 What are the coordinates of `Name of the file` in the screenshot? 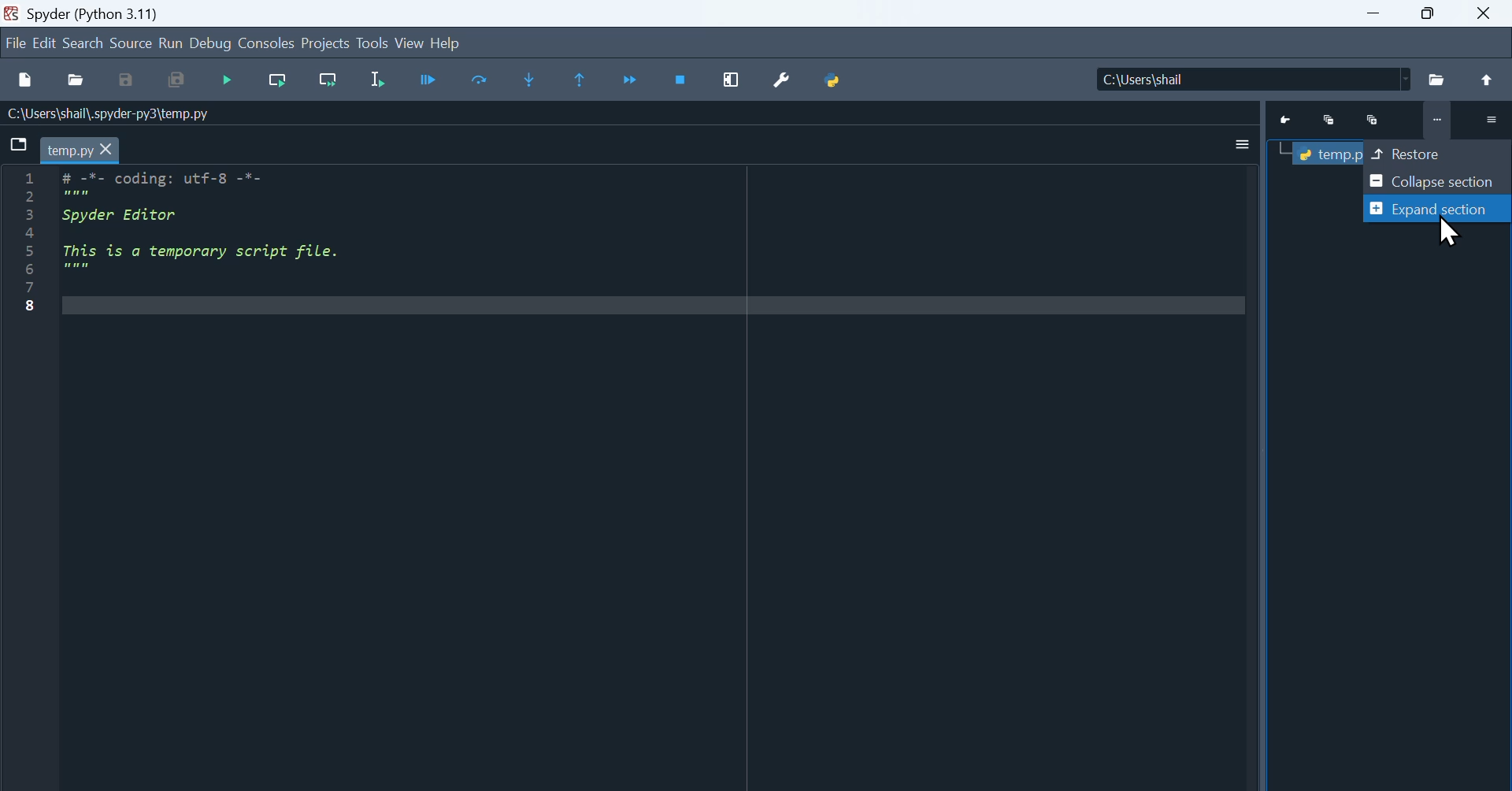 It's located at (107, 113).